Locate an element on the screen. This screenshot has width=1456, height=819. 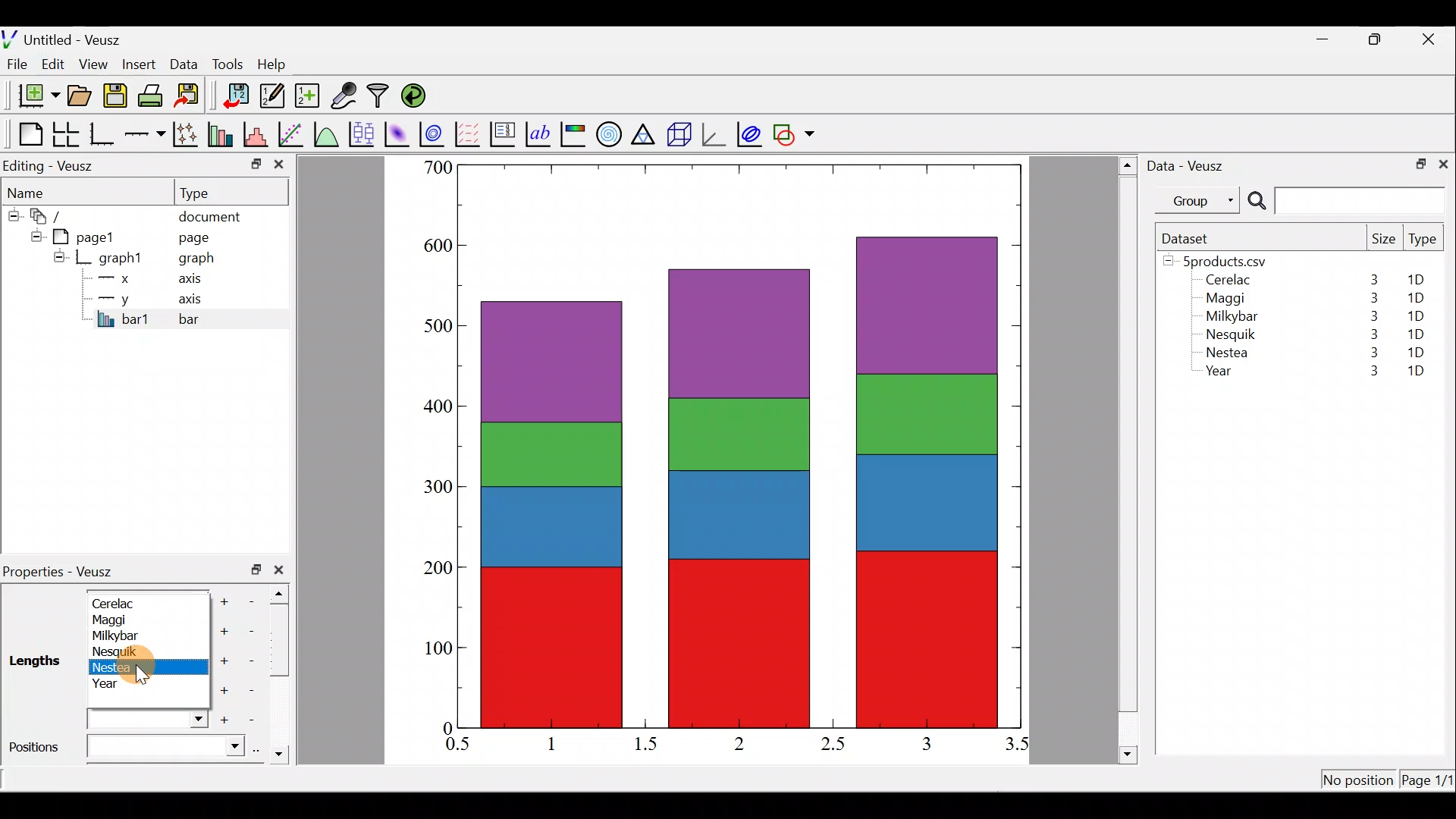
x is located at coordinates (118, 278).